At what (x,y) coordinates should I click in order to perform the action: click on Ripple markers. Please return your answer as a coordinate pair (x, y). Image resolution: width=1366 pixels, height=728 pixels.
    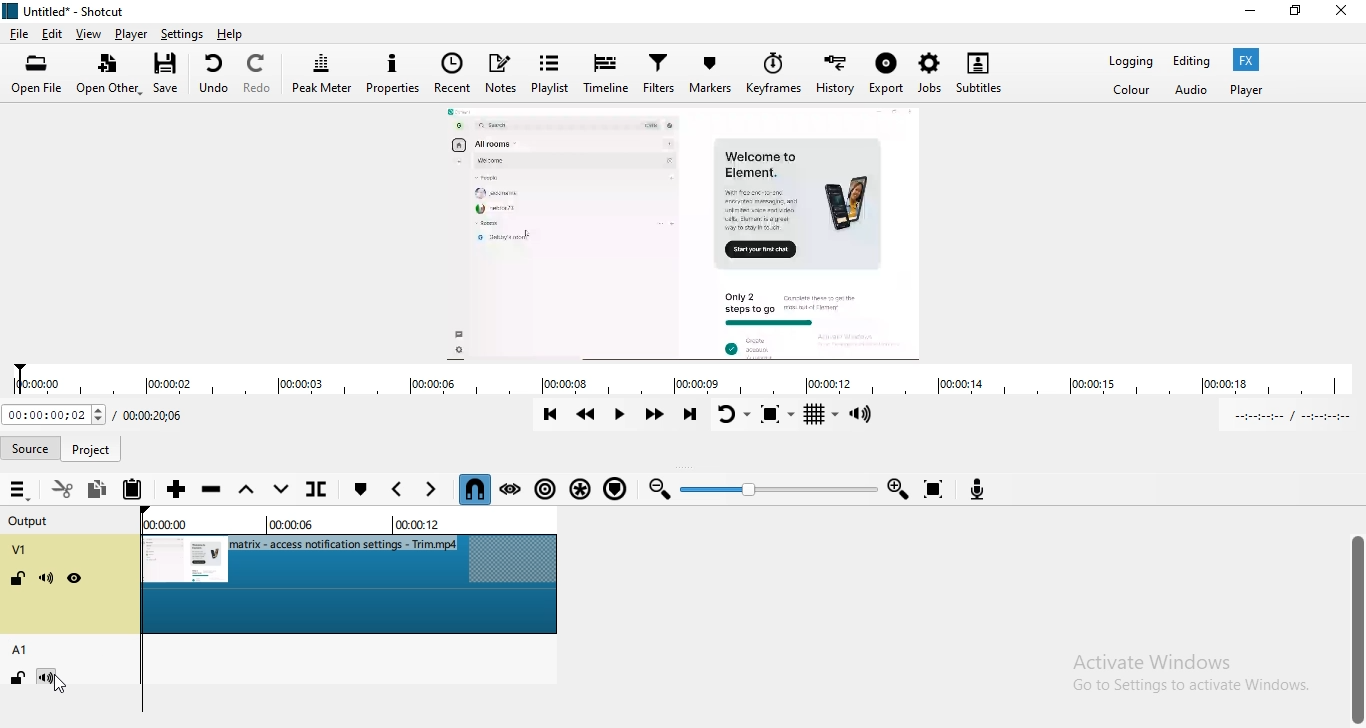
    Looking at the image, I should click on (615, 487).